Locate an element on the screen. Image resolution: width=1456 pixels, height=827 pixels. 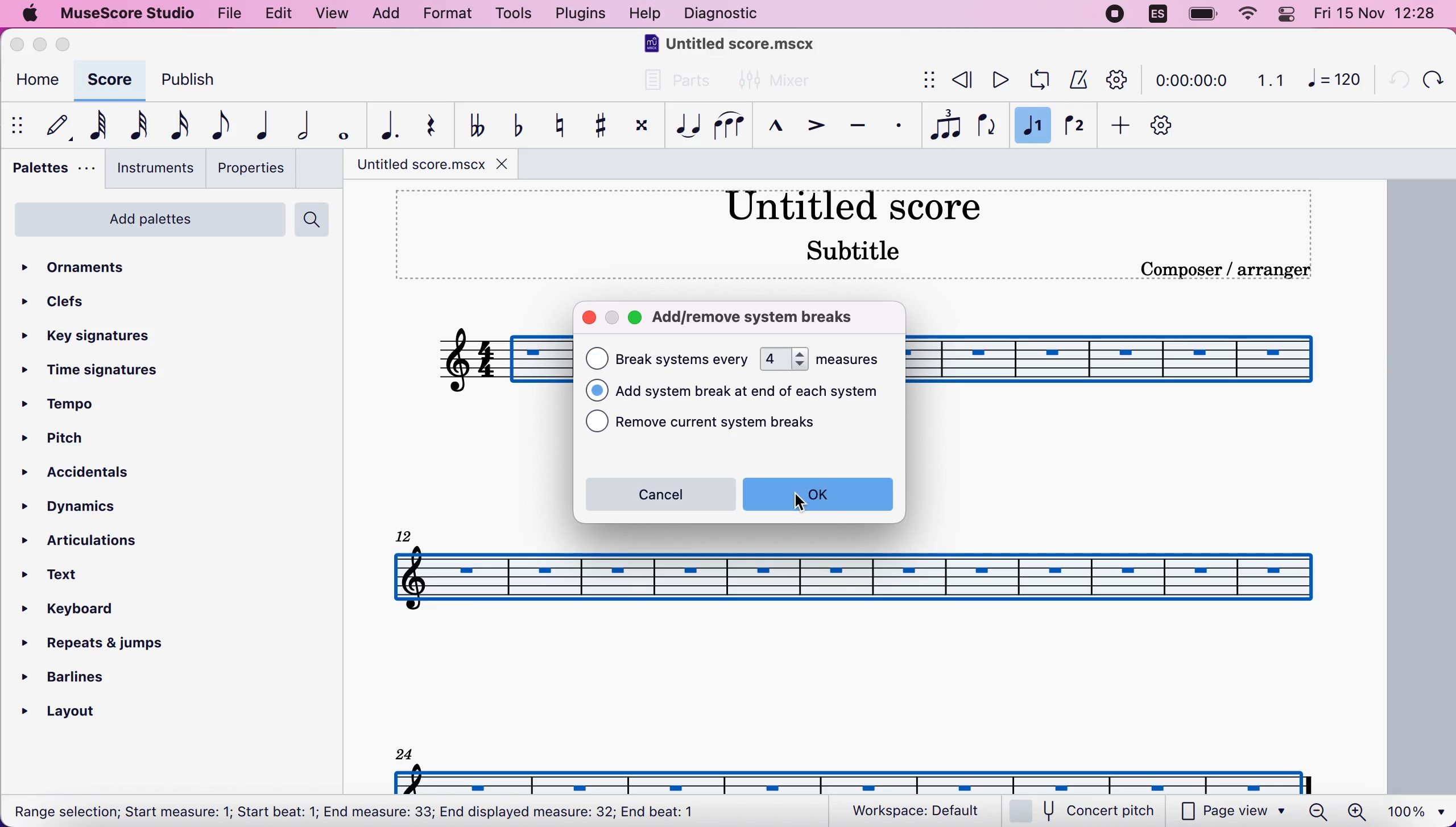
plugins is located at coordinates (578, 14).